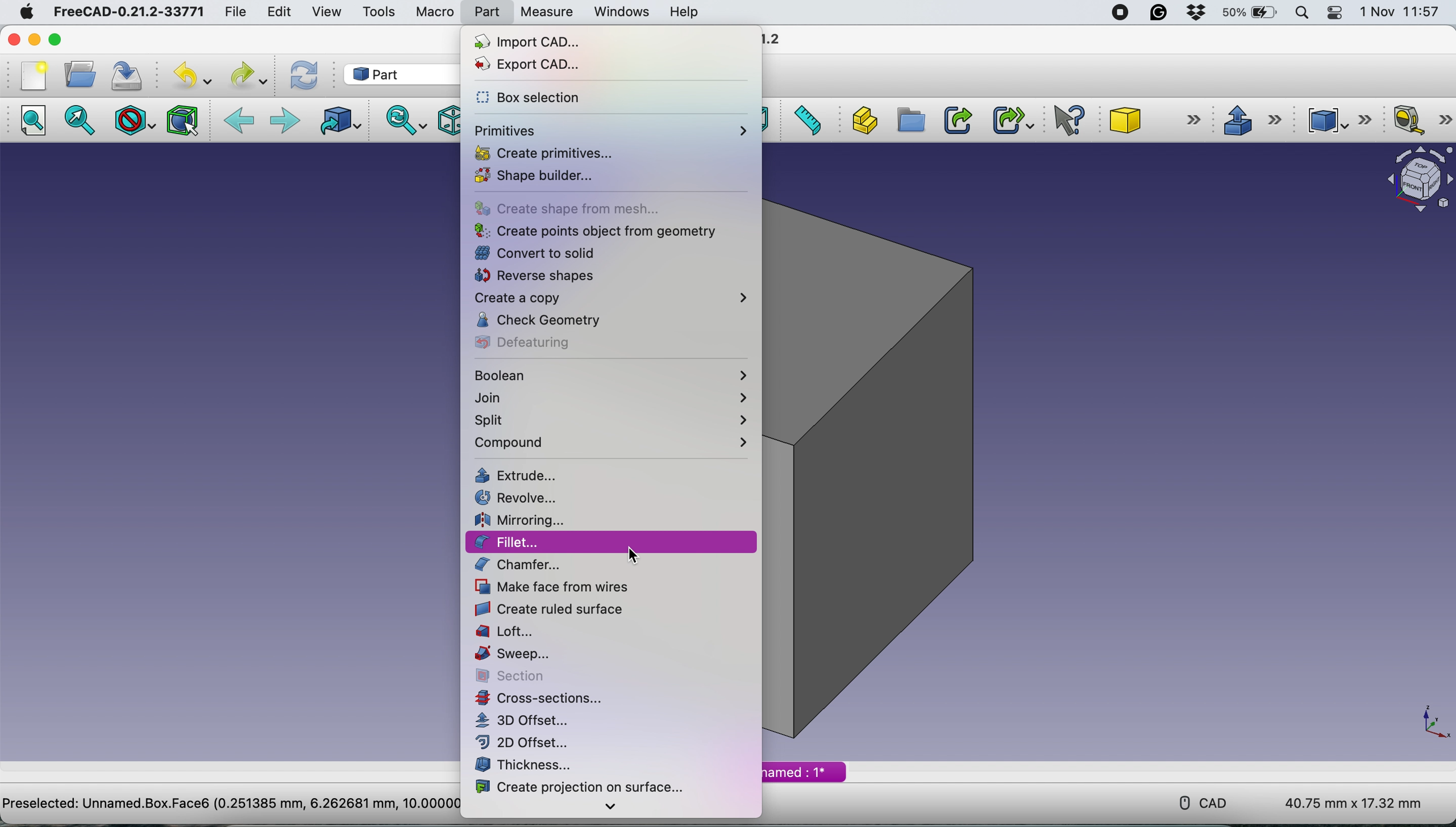 The image size is (1456, 827). What do you see at coordinates (1013, 119) in the screenshot?
I see `make sub link` at bounding box center [1013, 119].